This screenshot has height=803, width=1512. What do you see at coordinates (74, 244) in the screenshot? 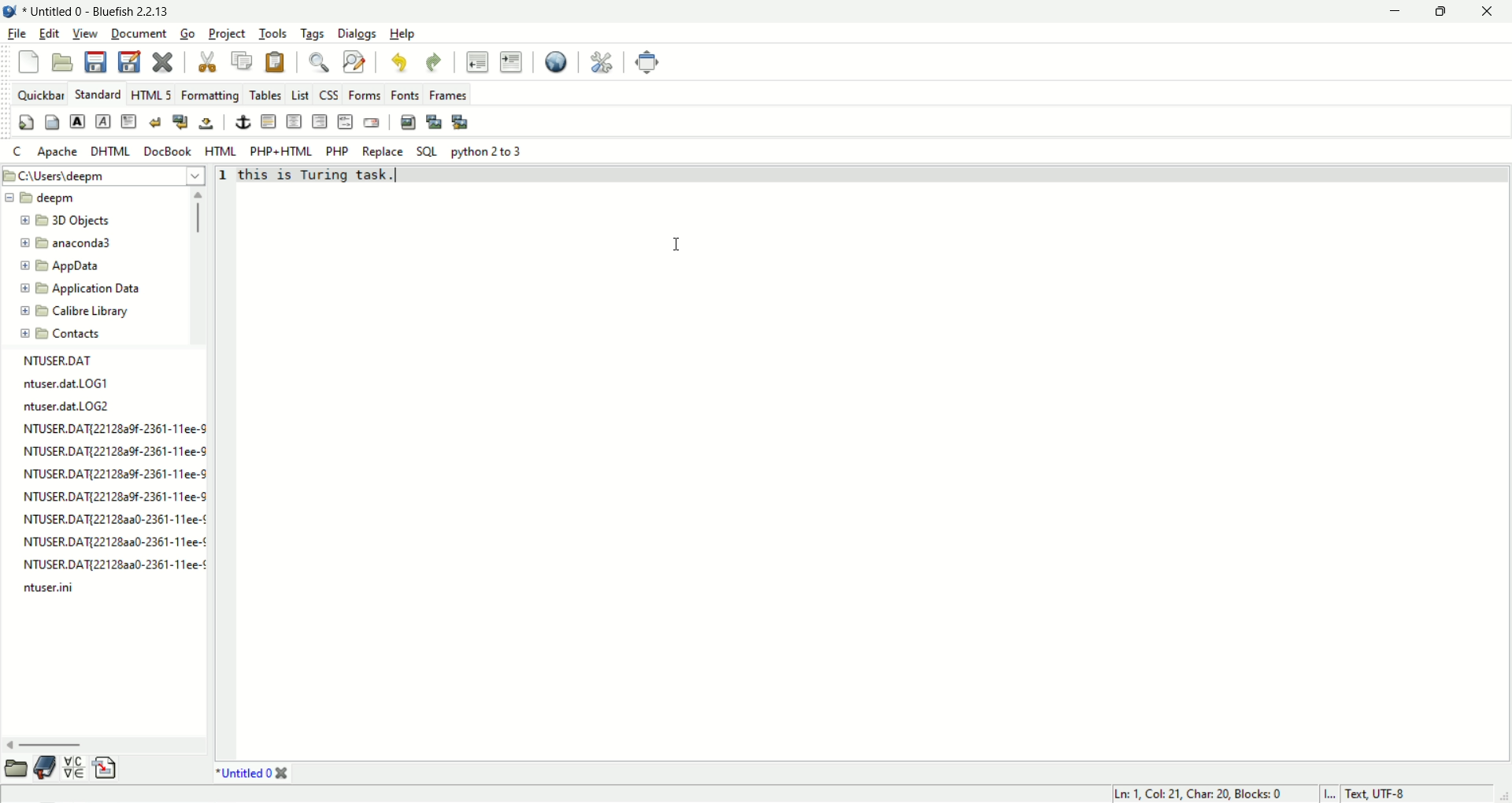
I see `folder name` at bounding box center [74, 244].